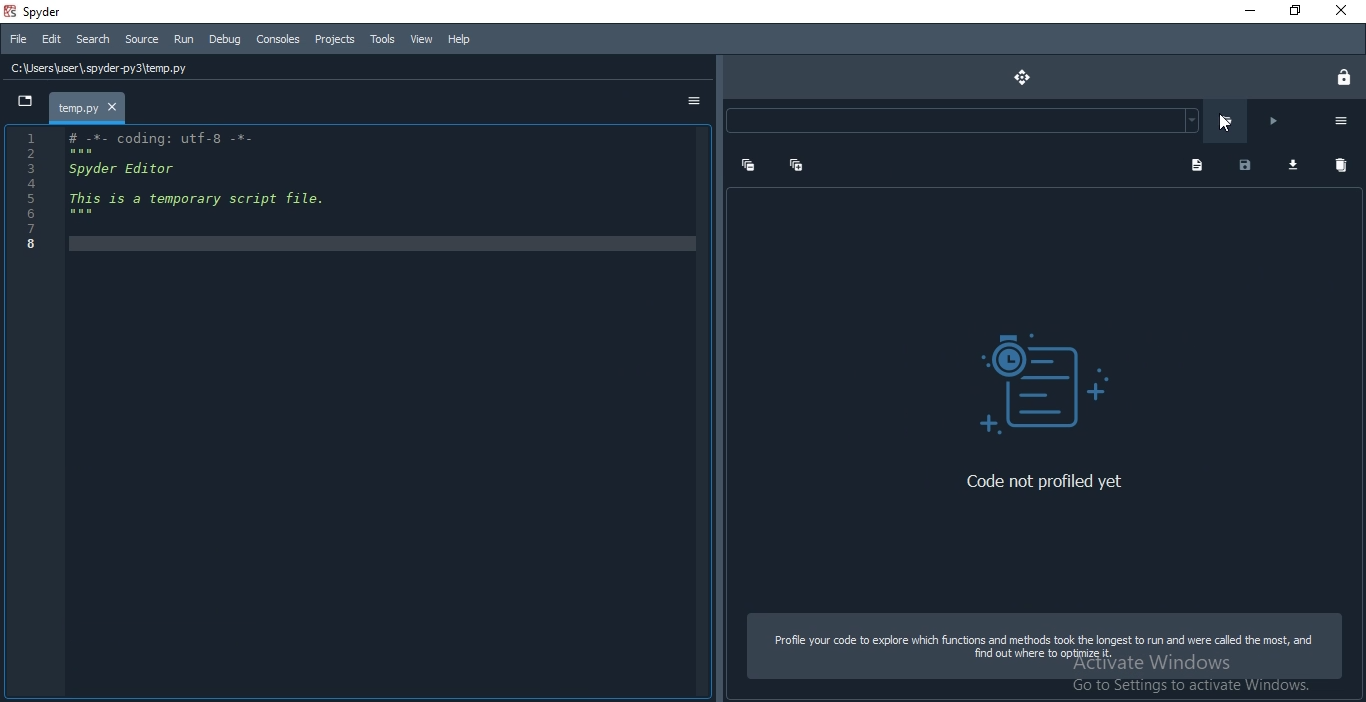 Image resolution: width=1366 pixels, height=702 pixels. I want to click on View, so click(419, 37).